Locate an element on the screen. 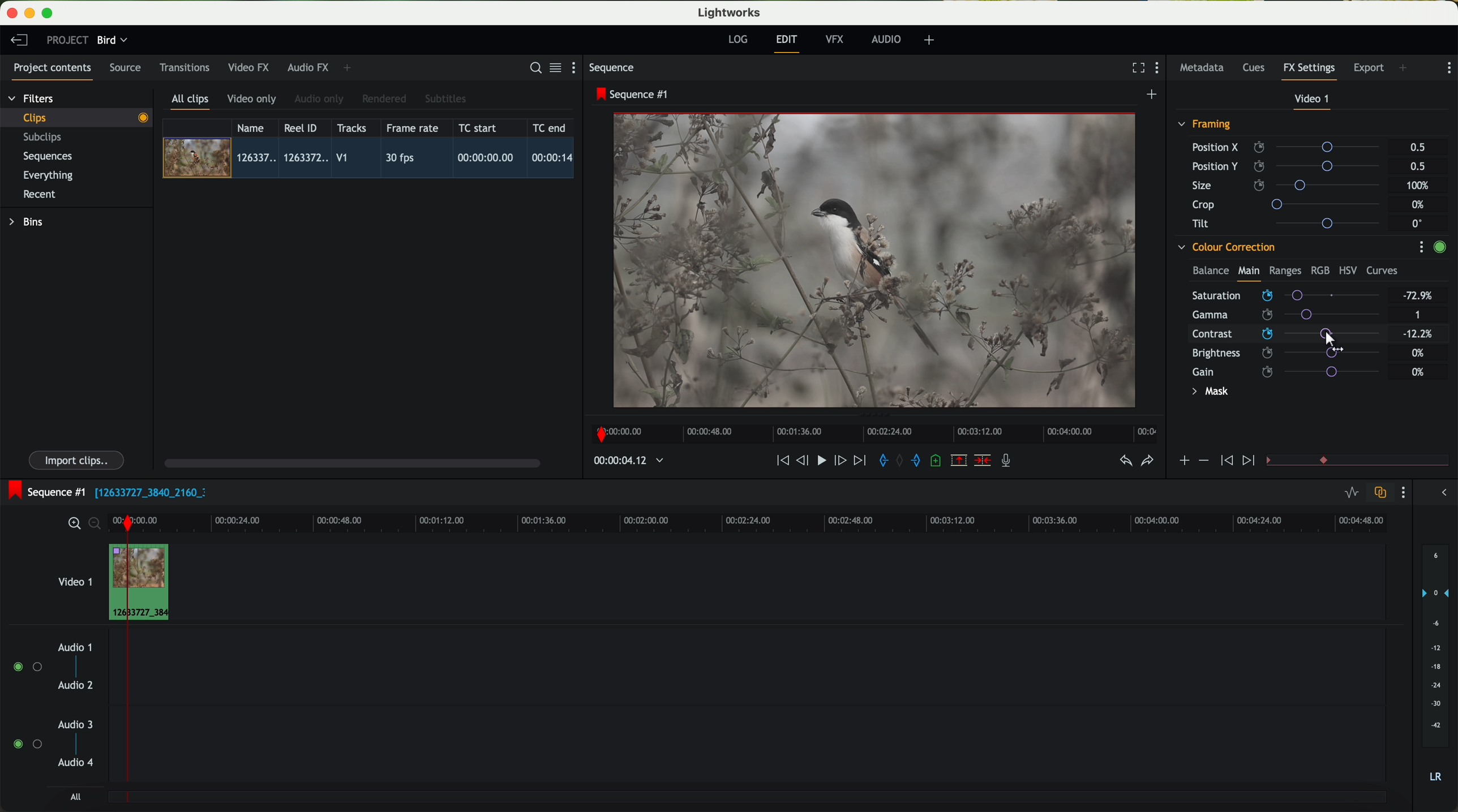 The width and height of the screenshot is (1458, 812). 0.5 is located at coordinates (1418, 148).